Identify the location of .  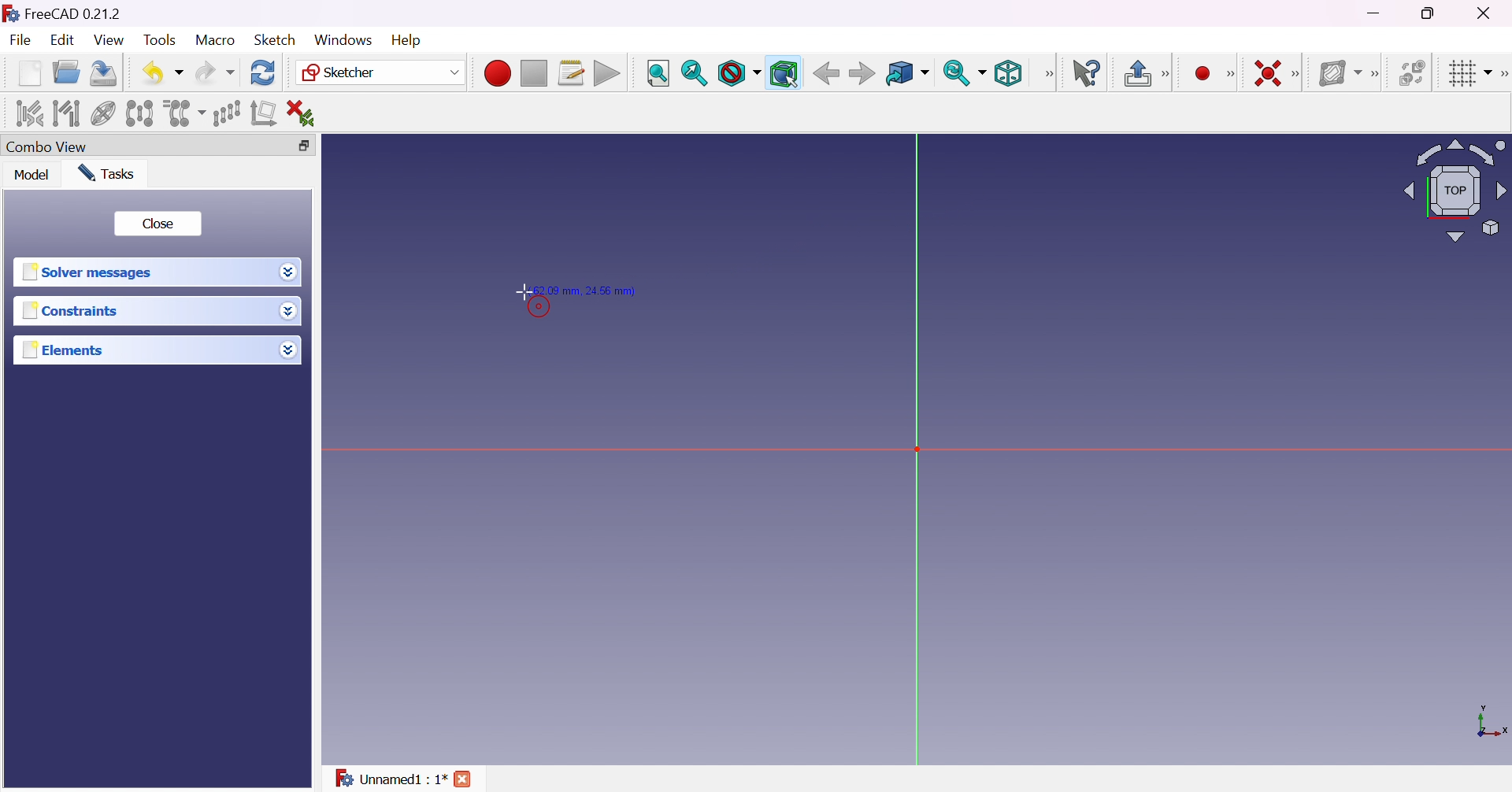
(965, 74).